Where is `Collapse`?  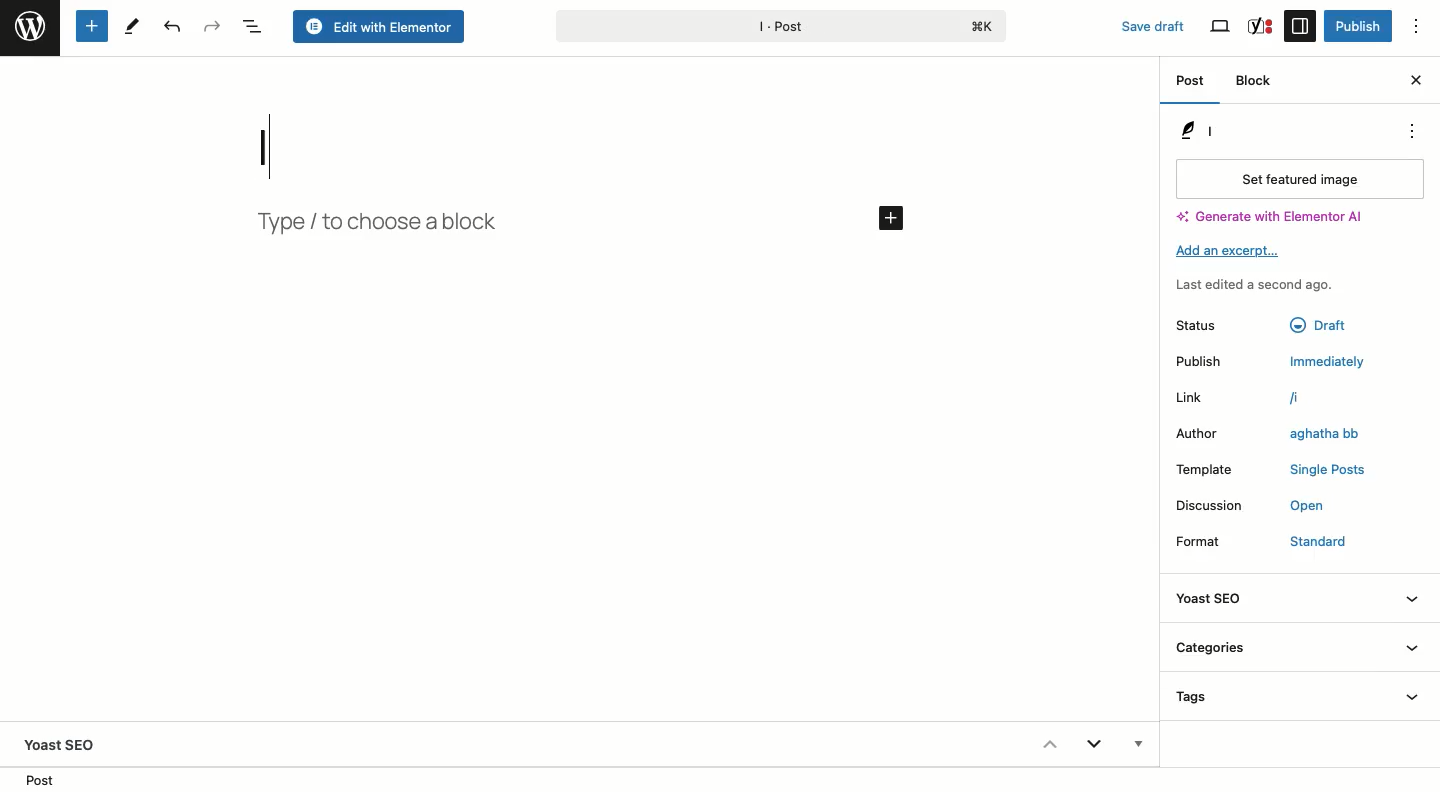 Collapse is located at coordinates (1048, 744).